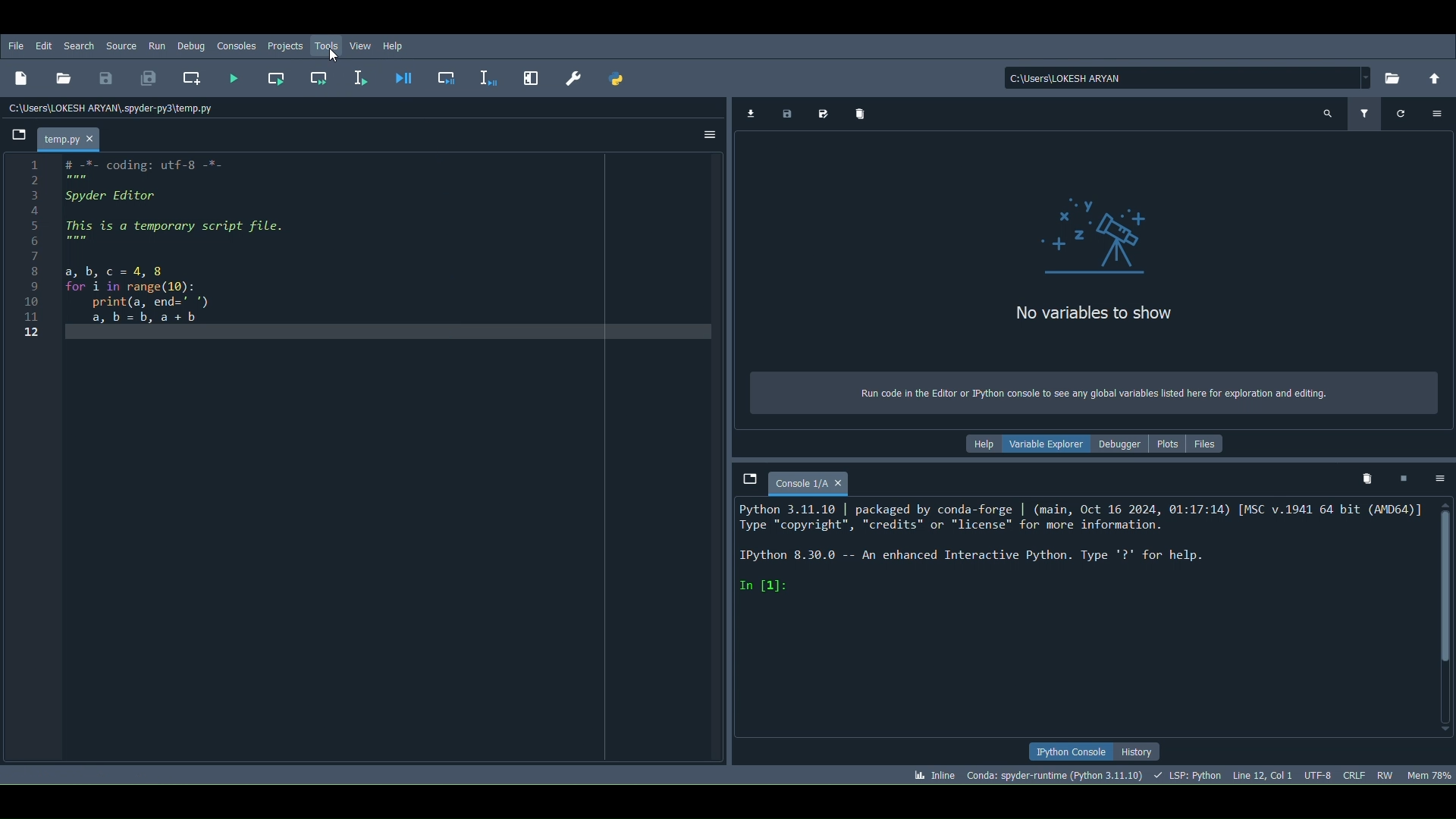 Image resolution: width=1456 pixels, height=819 pixels. Describe the element at coordinates (931, 772) in the screenshot. I see `Click to toggle between inline and interactive Matplotlib plotting` at that location.